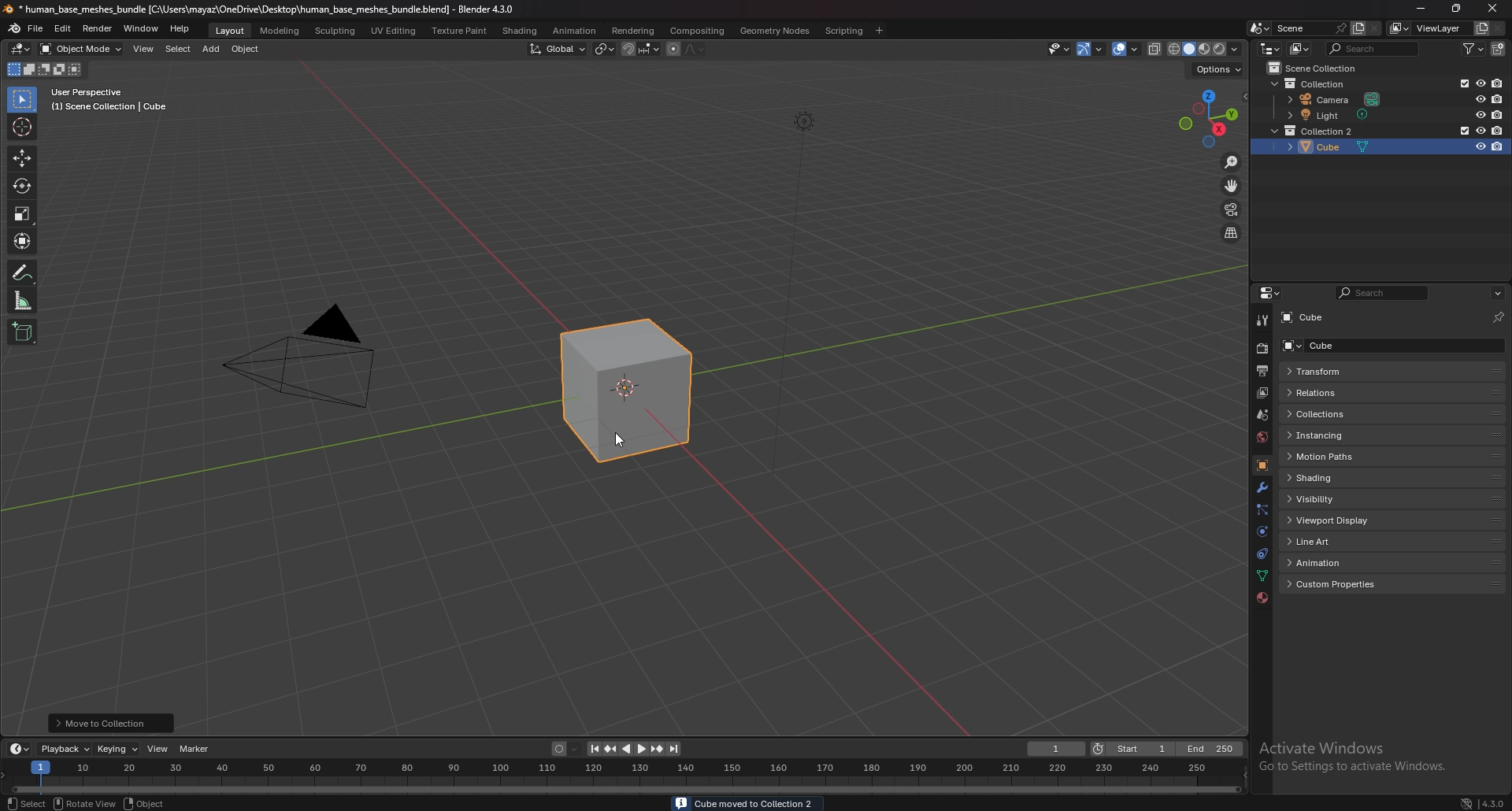 This screenshot has width=1512, height=811. Describe the element at coordinates (1500, 48) in the screenshot. I see `new collection` at that location.